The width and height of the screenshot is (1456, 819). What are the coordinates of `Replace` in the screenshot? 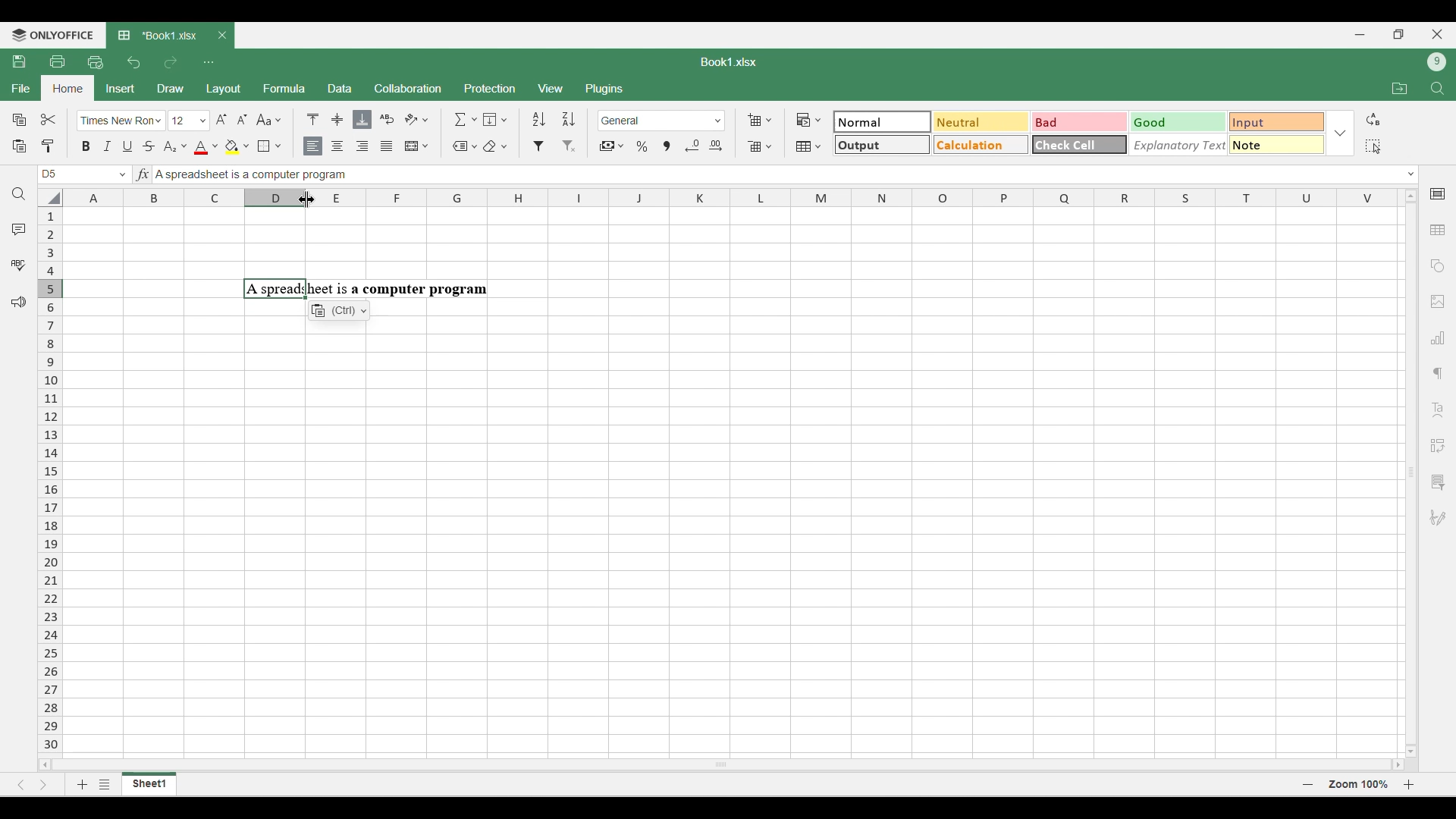 It's located at (1373, 119).